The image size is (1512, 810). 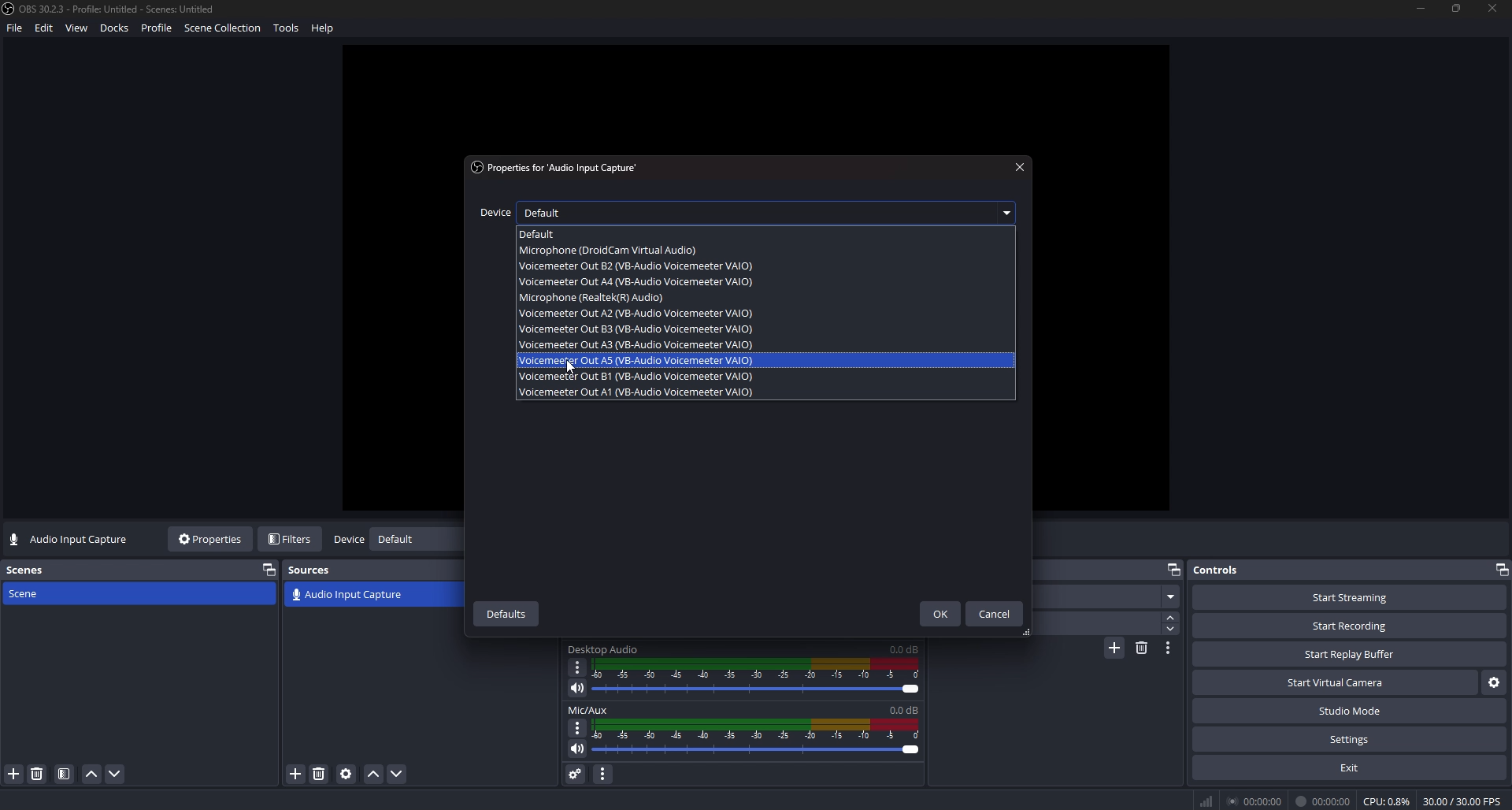 I want to click on pop out, so click(x=414, y=541).